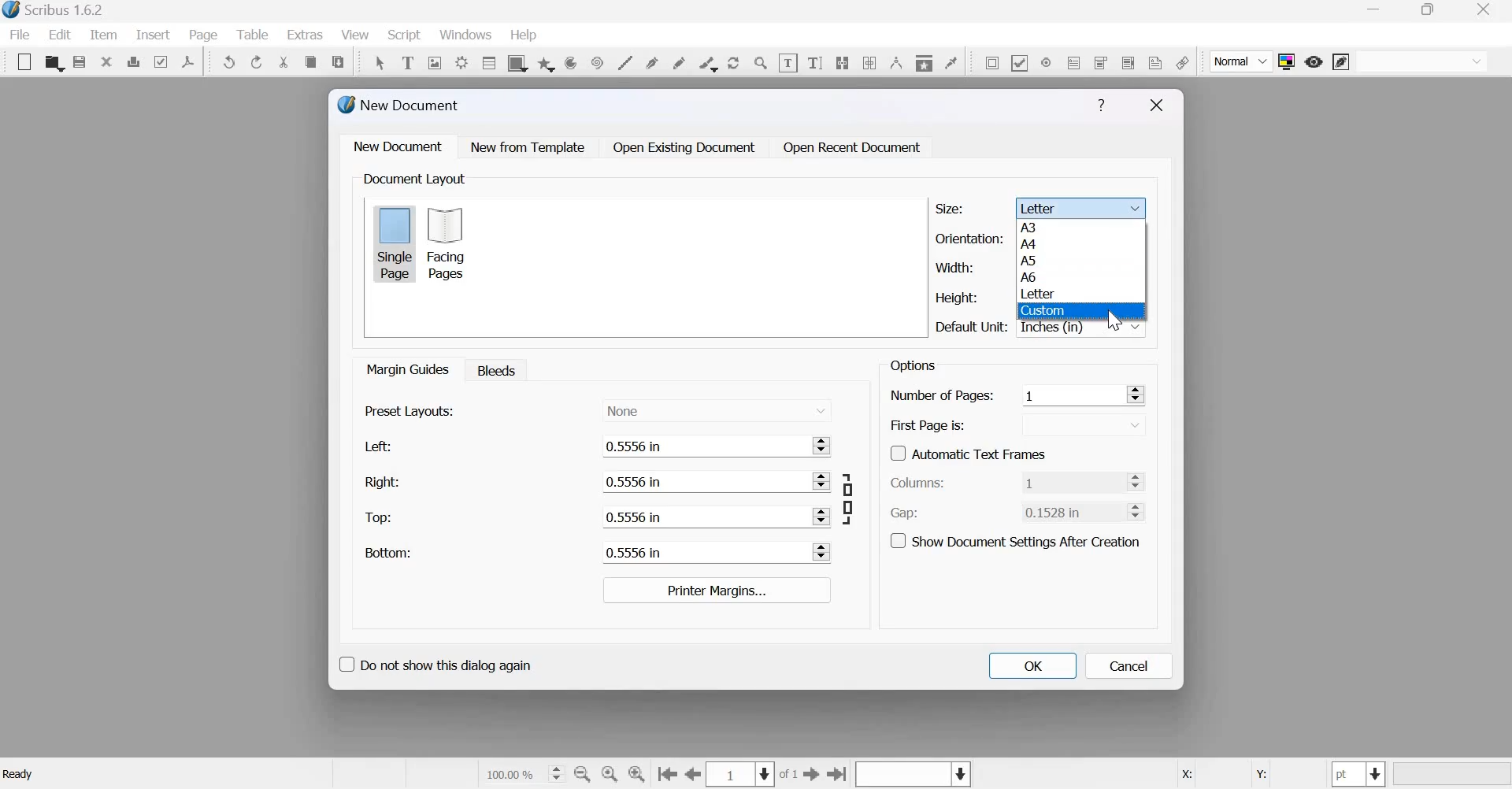 The height and width of the screenshot is (789, 1512). What do you see at coordinates (969, 237) in the screenshot?
I see `Orientation: ` at bounding box center [969, 237].